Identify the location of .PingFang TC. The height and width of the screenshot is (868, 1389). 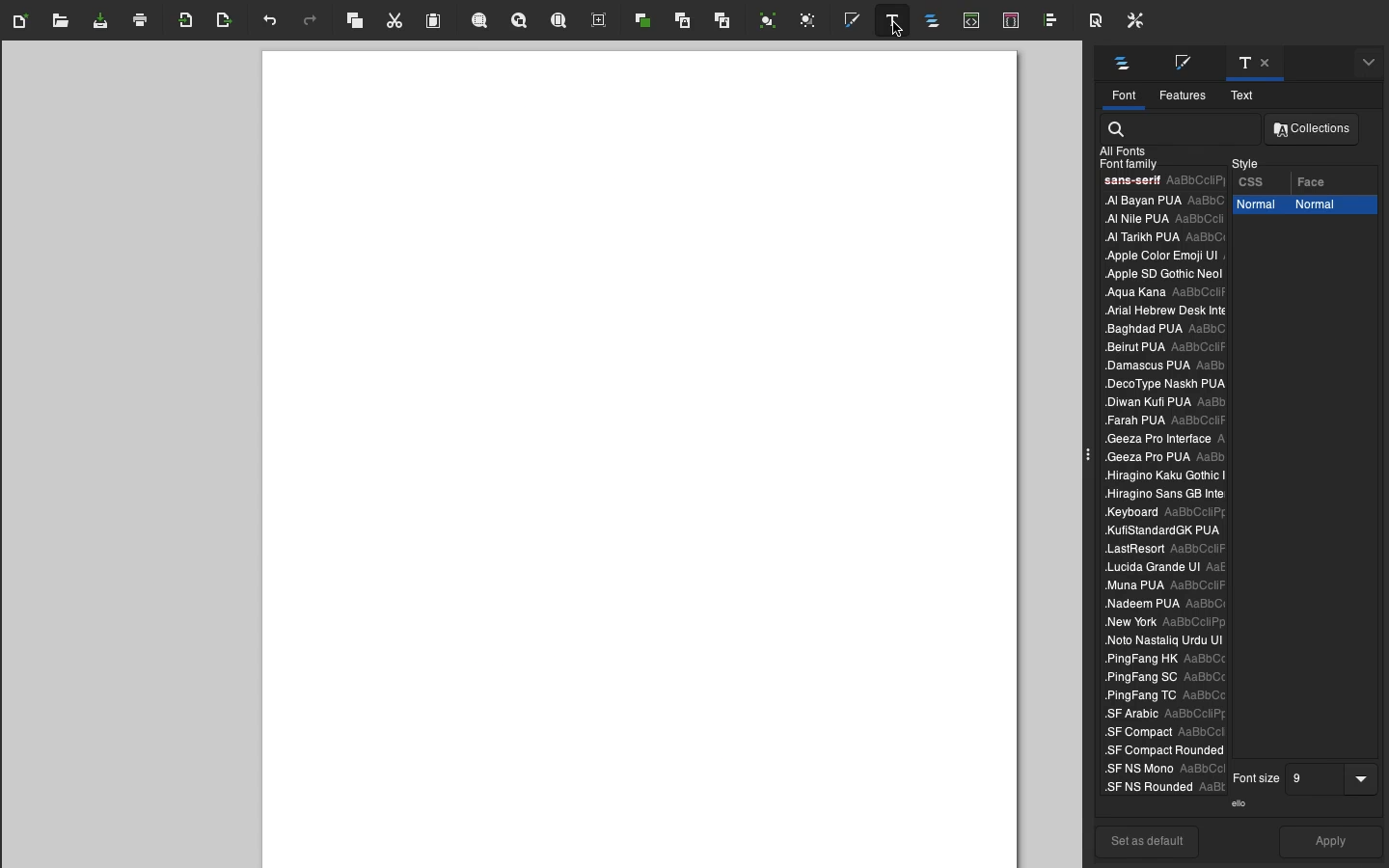
(1165, 696).